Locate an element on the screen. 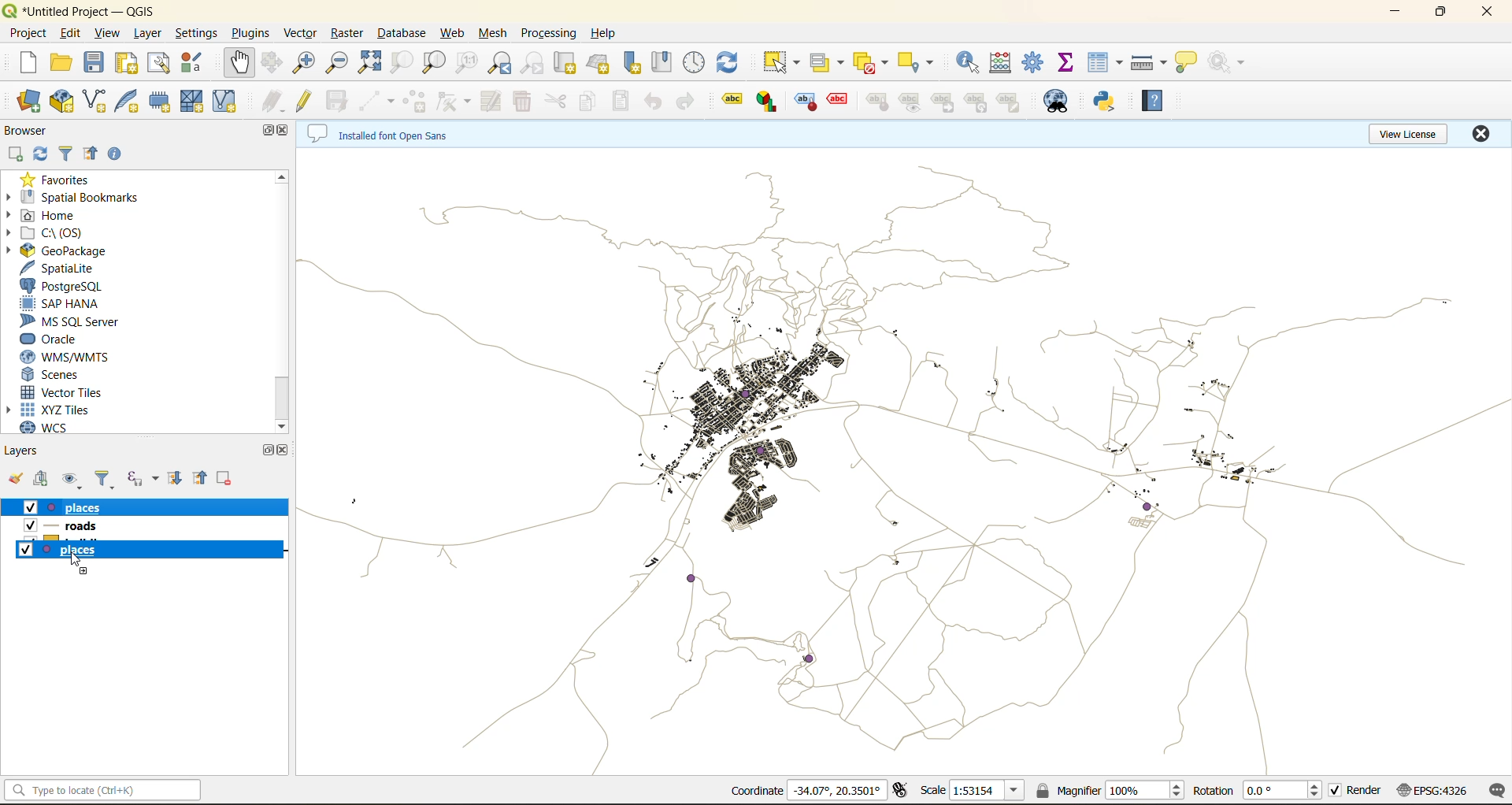 The width and height of the screenshot is (1512, 805). show layout is located at coordinates (160, 63).